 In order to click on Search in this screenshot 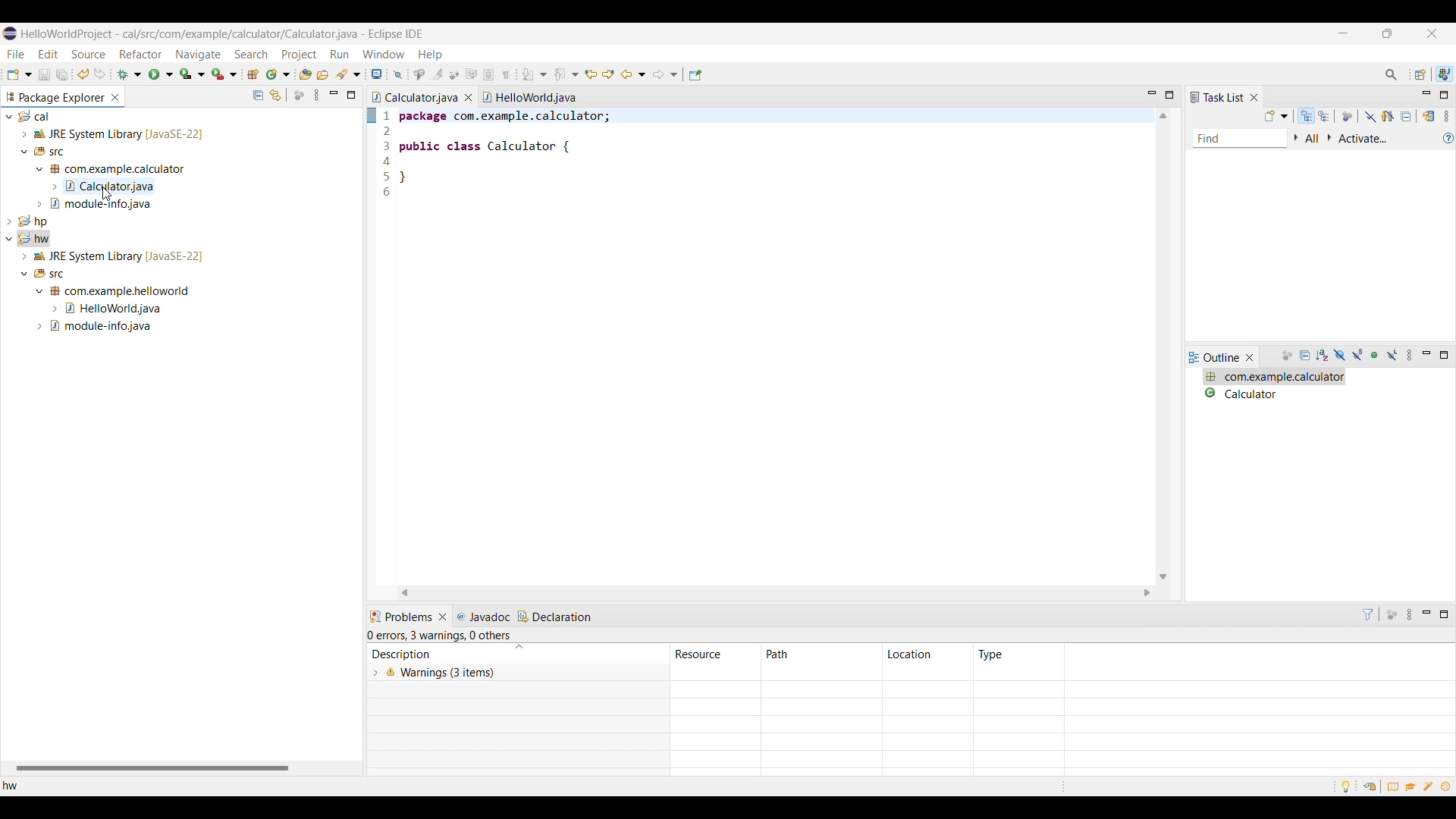, I will do `click(252, 54)`.